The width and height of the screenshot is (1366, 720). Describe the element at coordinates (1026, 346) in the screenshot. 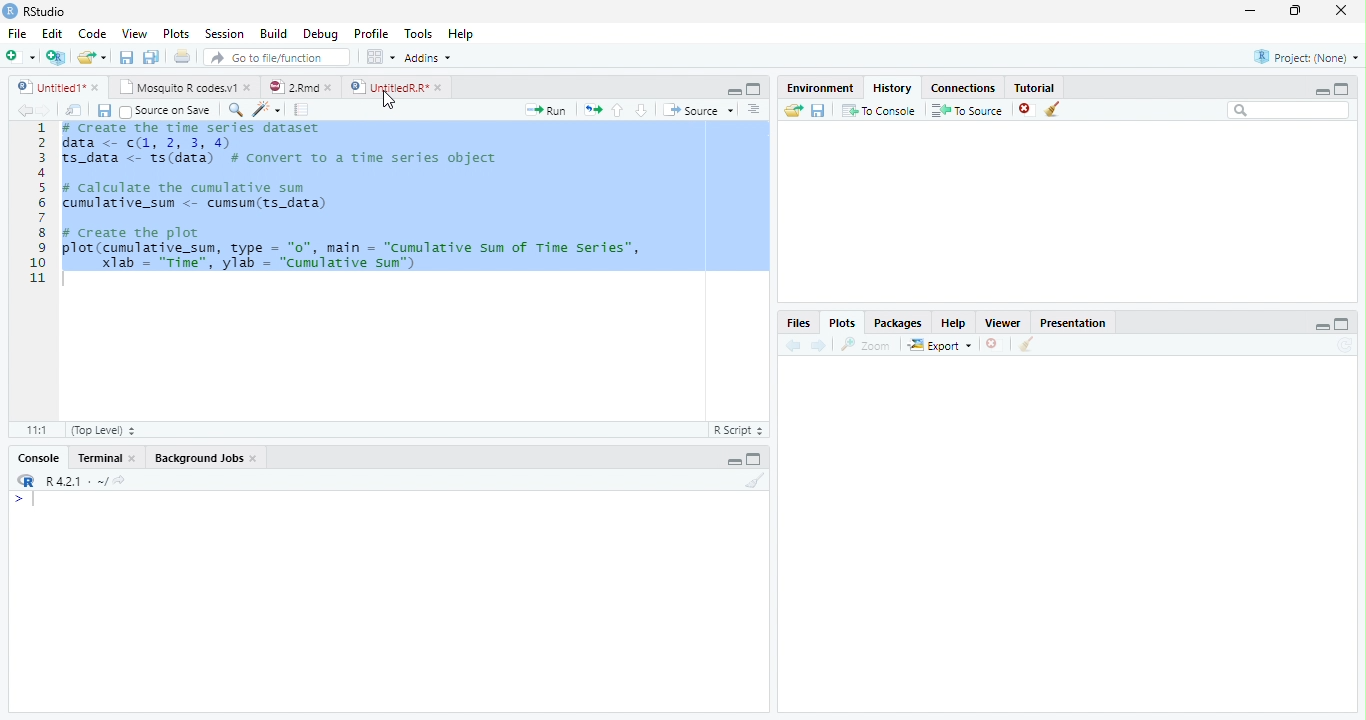

I see `Clear Console` at that location.